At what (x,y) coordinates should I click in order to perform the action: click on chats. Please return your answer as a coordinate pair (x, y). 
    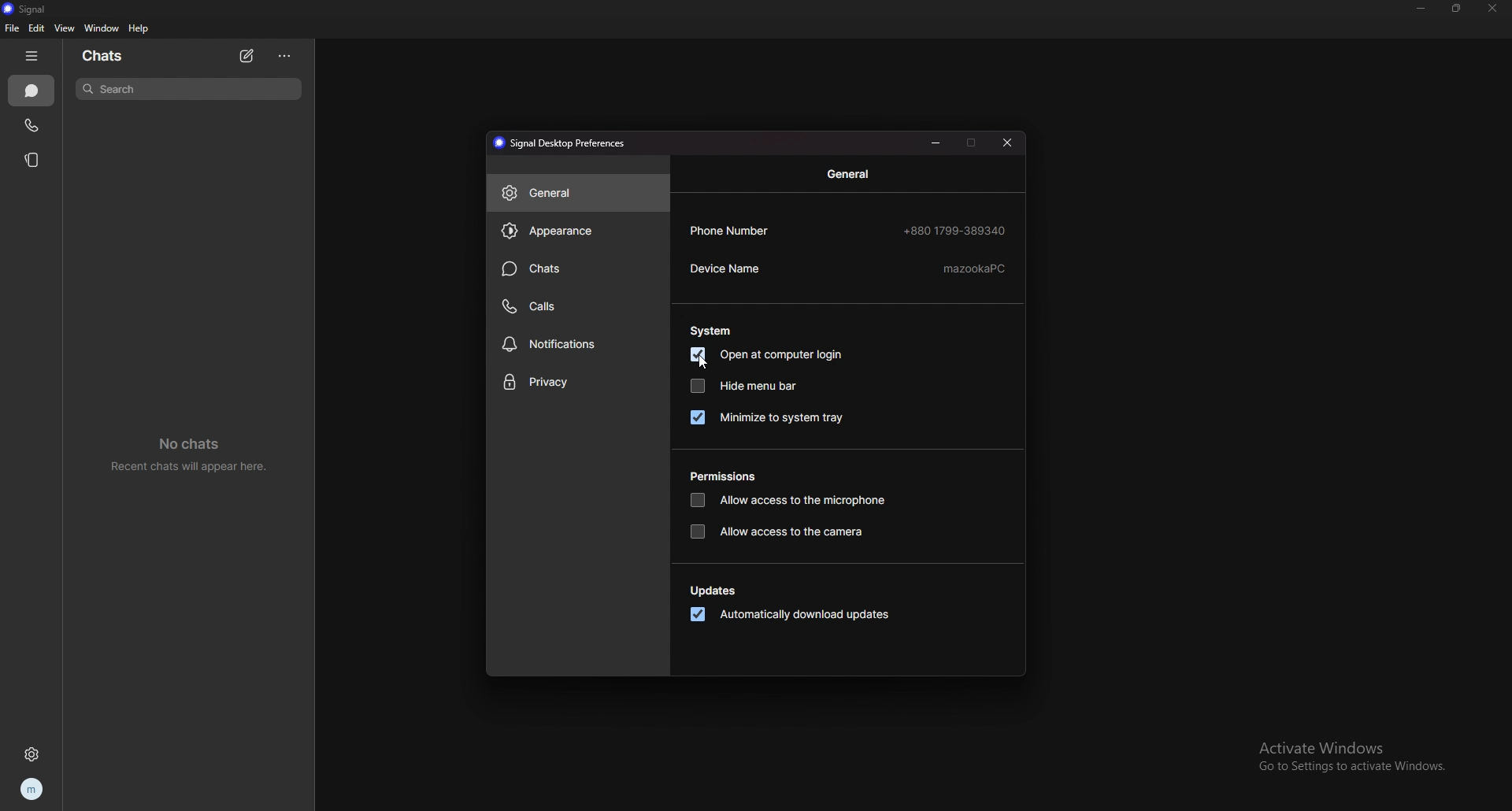
    Looking at the image, I should click on (104, 56).